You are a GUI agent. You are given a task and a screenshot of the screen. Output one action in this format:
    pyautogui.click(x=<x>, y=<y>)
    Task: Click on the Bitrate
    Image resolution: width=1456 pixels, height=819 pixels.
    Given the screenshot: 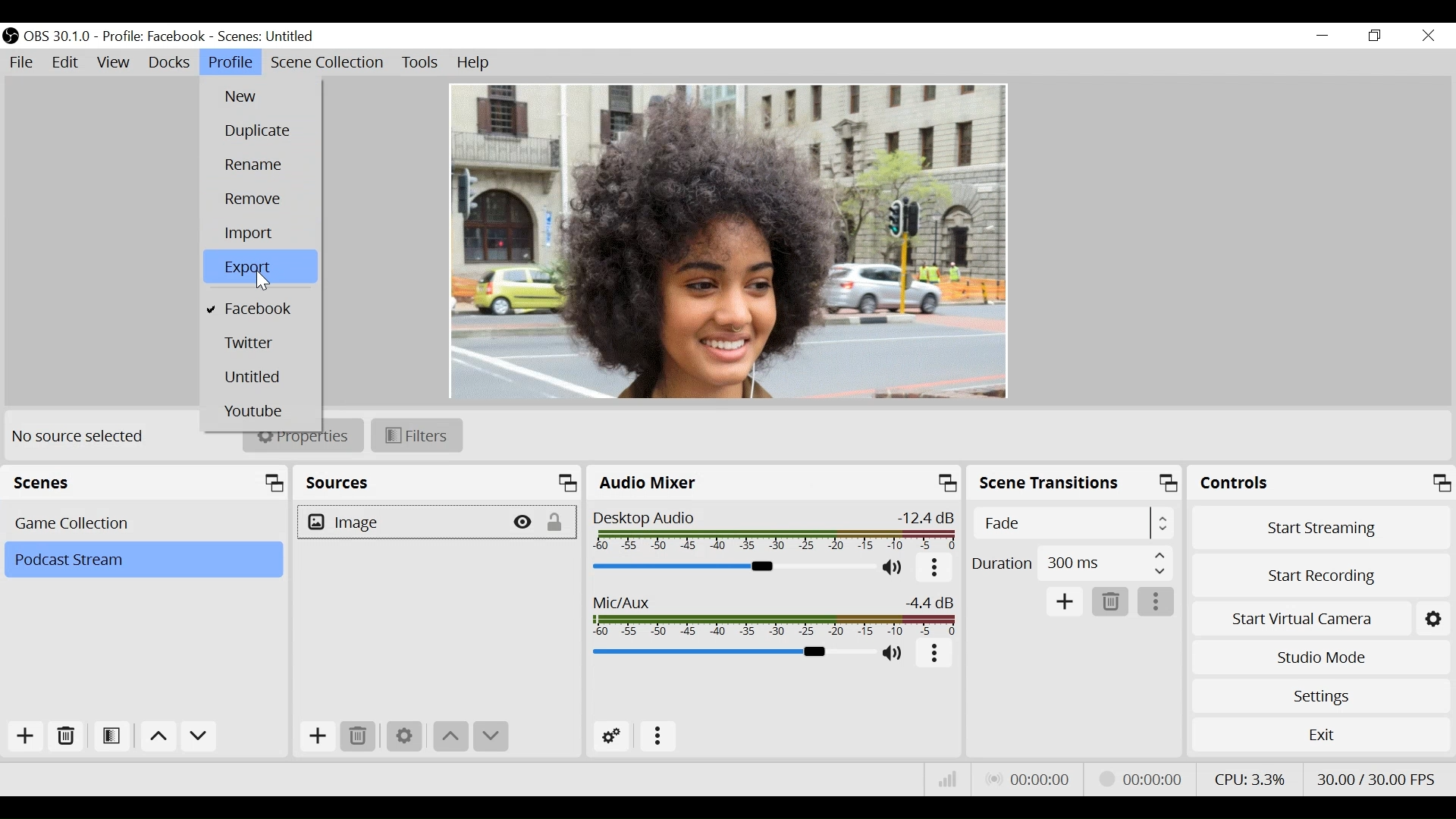 What is the action you would take?
    pyautogui.click(x=948, y=779)
    